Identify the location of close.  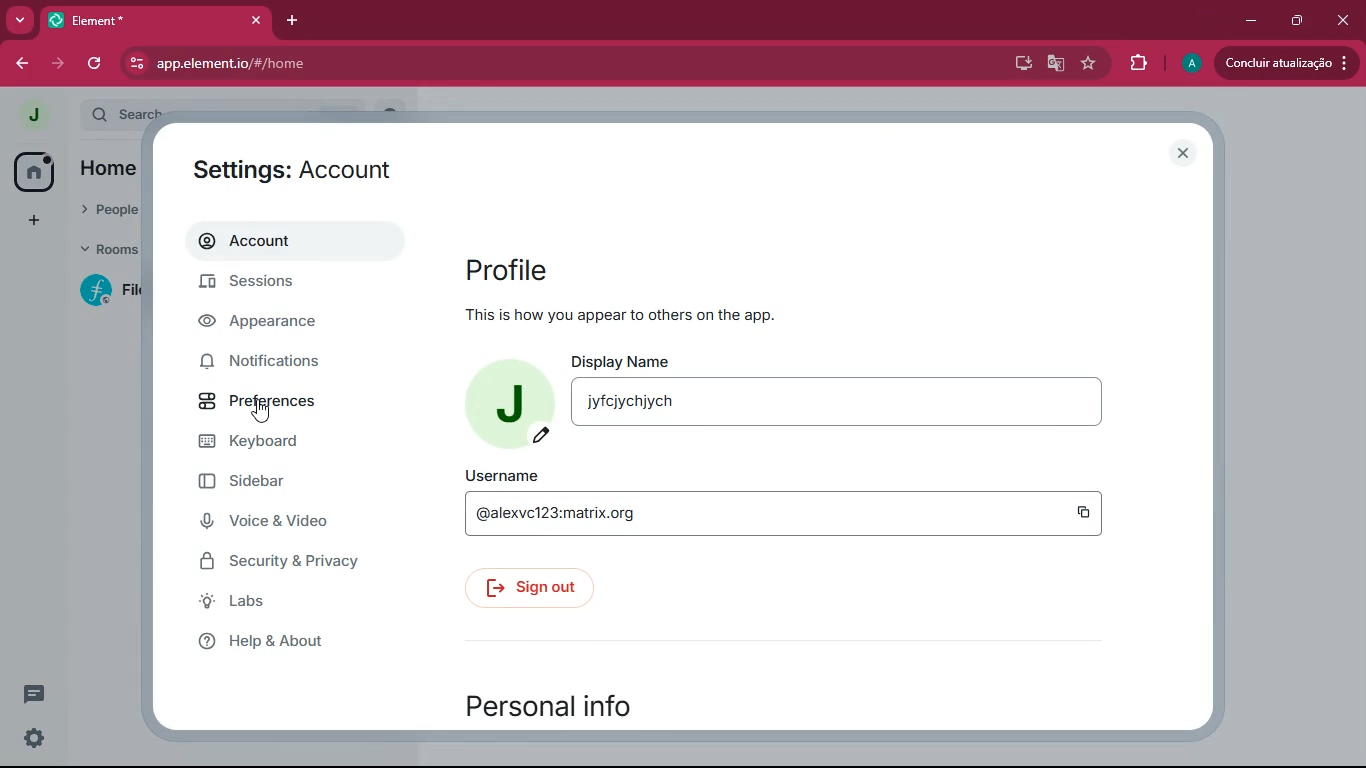
(1184, 153).